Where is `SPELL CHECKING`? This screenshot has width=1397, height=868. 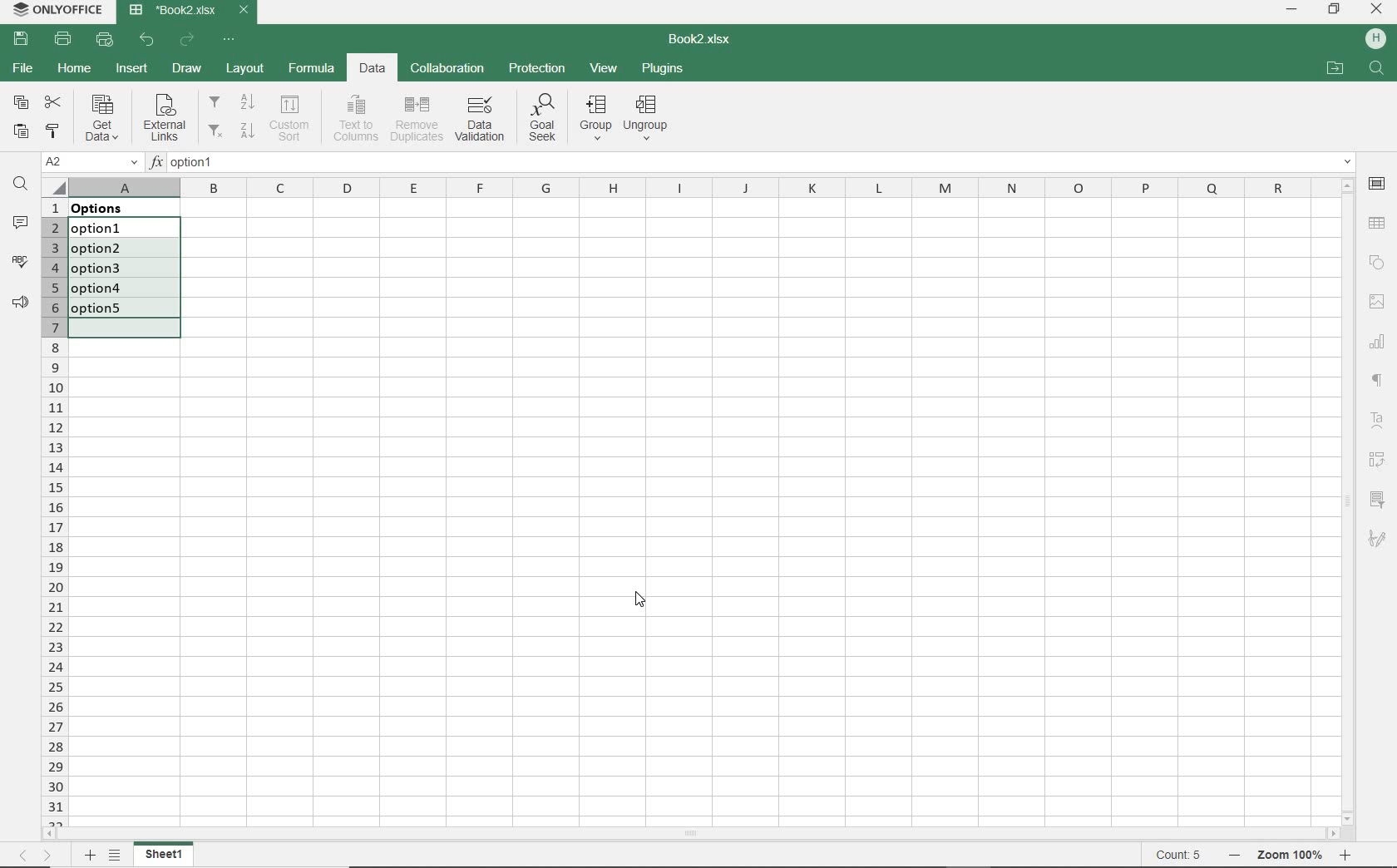
SPELL CHECKING is located at coordinates (17, 259).